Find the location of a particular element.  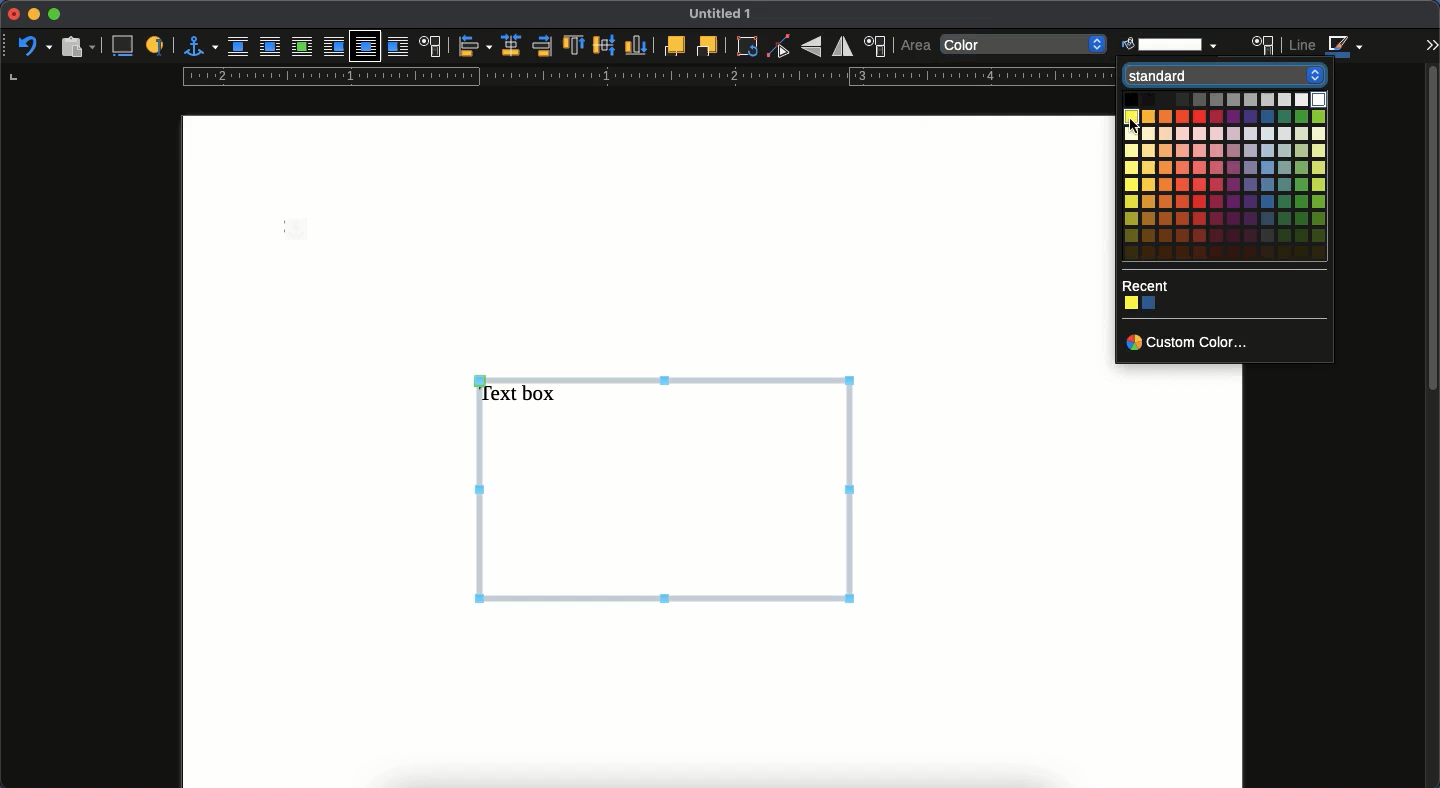

UNTITLED 1 is located at coordinates (728, 15).